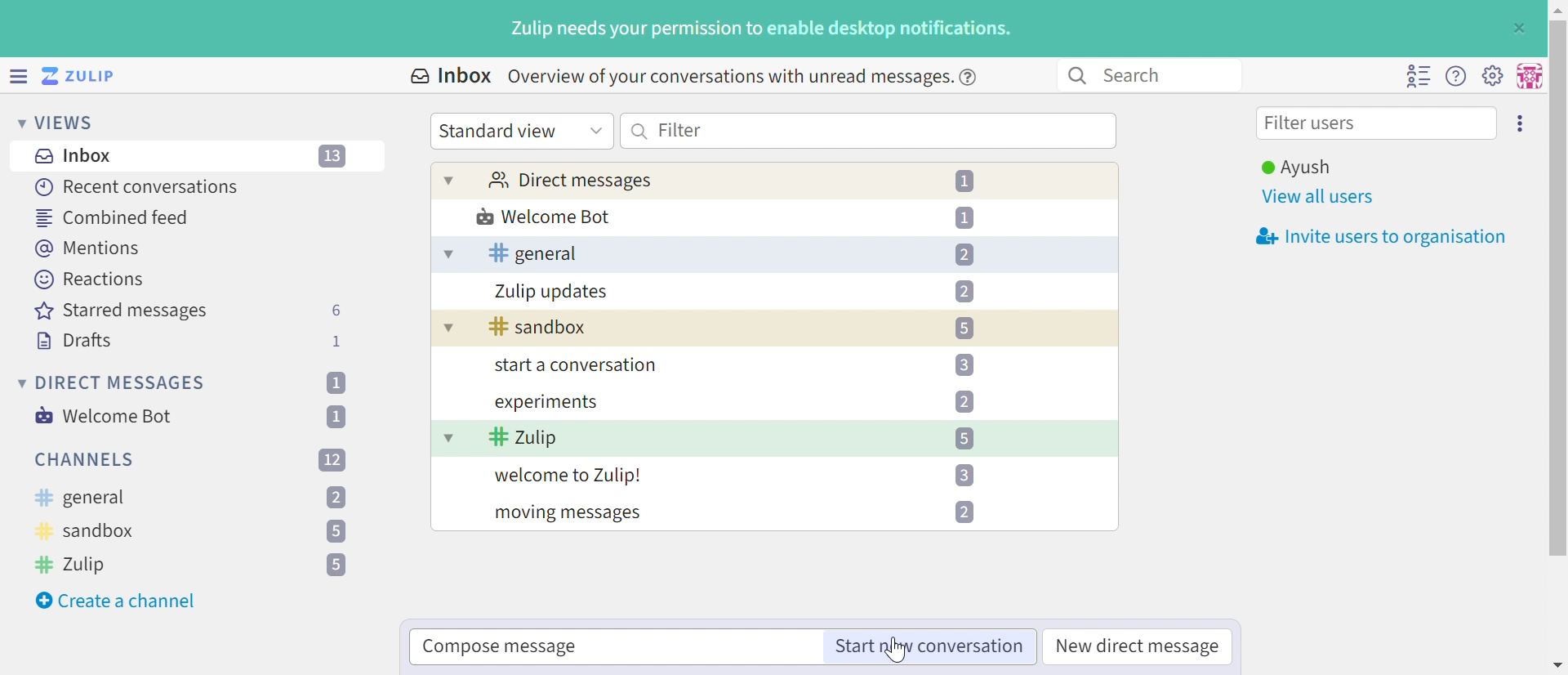 The image size is (1568, 675). I want to click on Drafts, so click(74, 342).